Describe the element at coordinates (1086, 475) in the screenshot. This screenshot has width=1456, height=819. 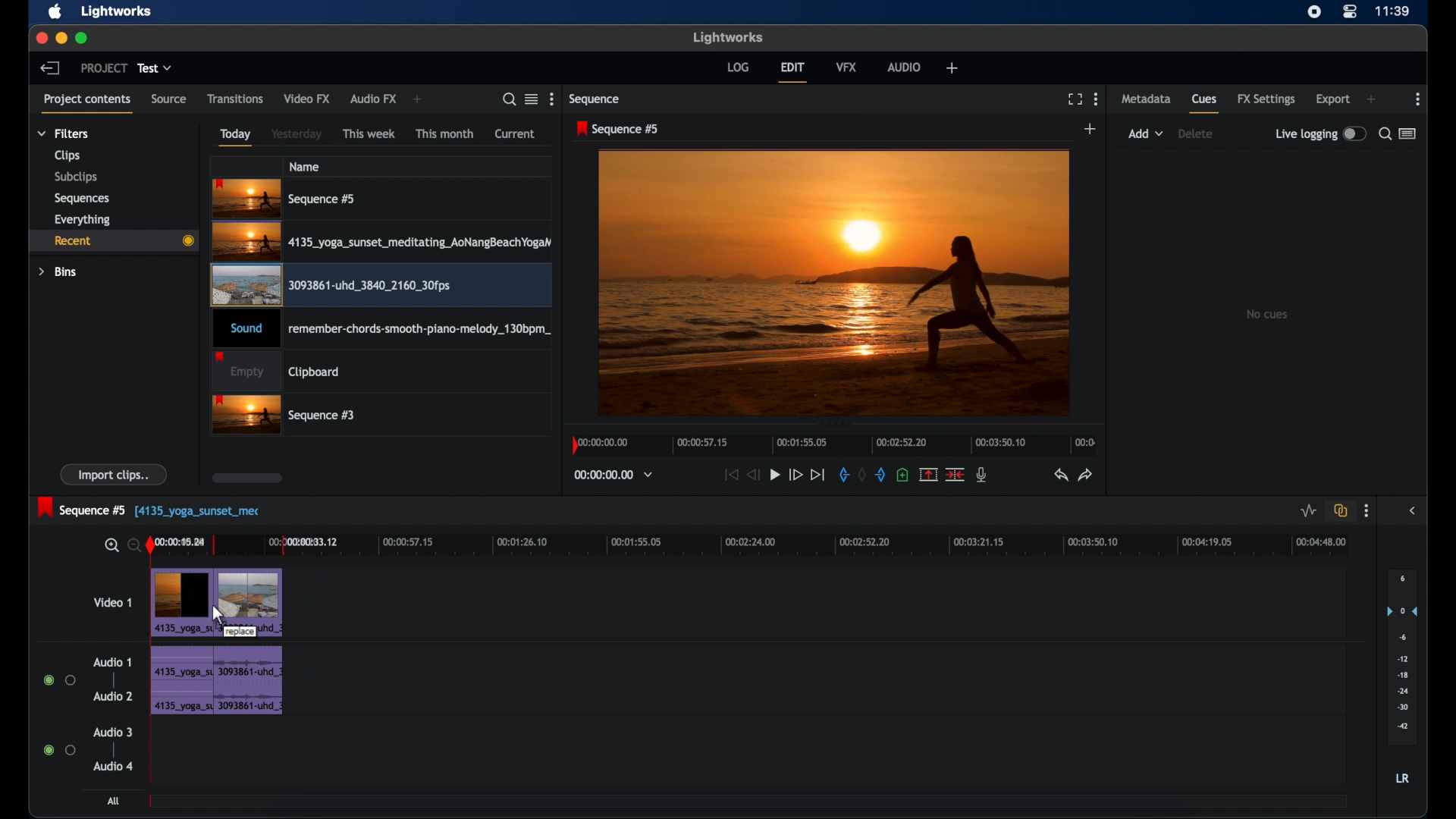
I see `redo` at that location.